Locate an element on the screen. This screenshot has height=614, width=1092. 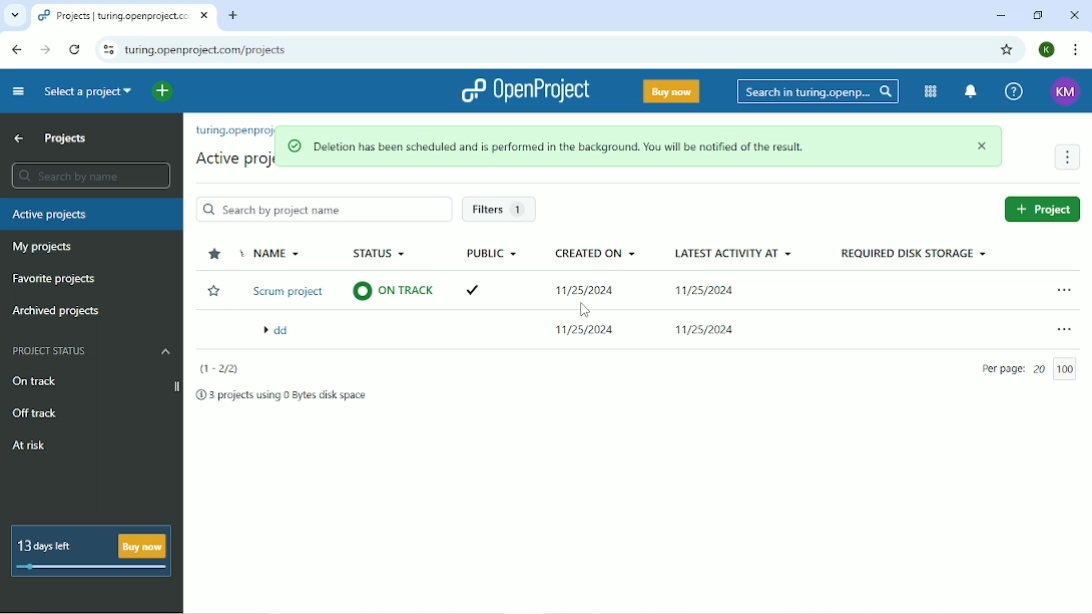
Off track is located at coordinates (34, 411).